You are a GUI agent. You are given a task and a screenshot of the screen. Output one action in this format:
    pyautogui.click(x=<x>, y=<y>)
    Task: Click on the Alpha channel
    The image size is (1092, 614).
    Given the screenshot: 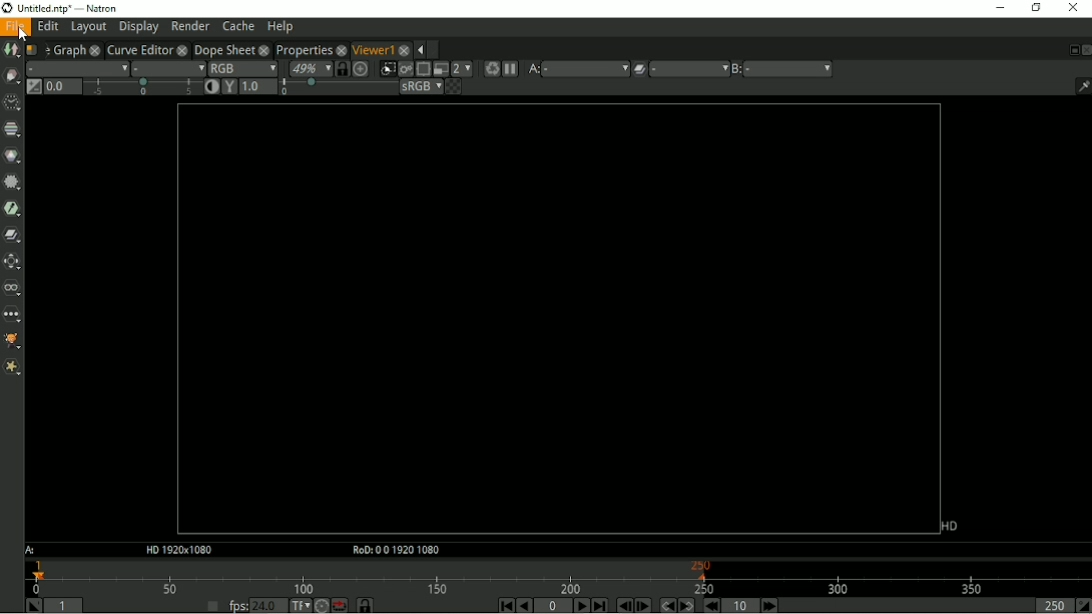 What is the action you would take?
    pyautogui.click(x=167, y=68)
    